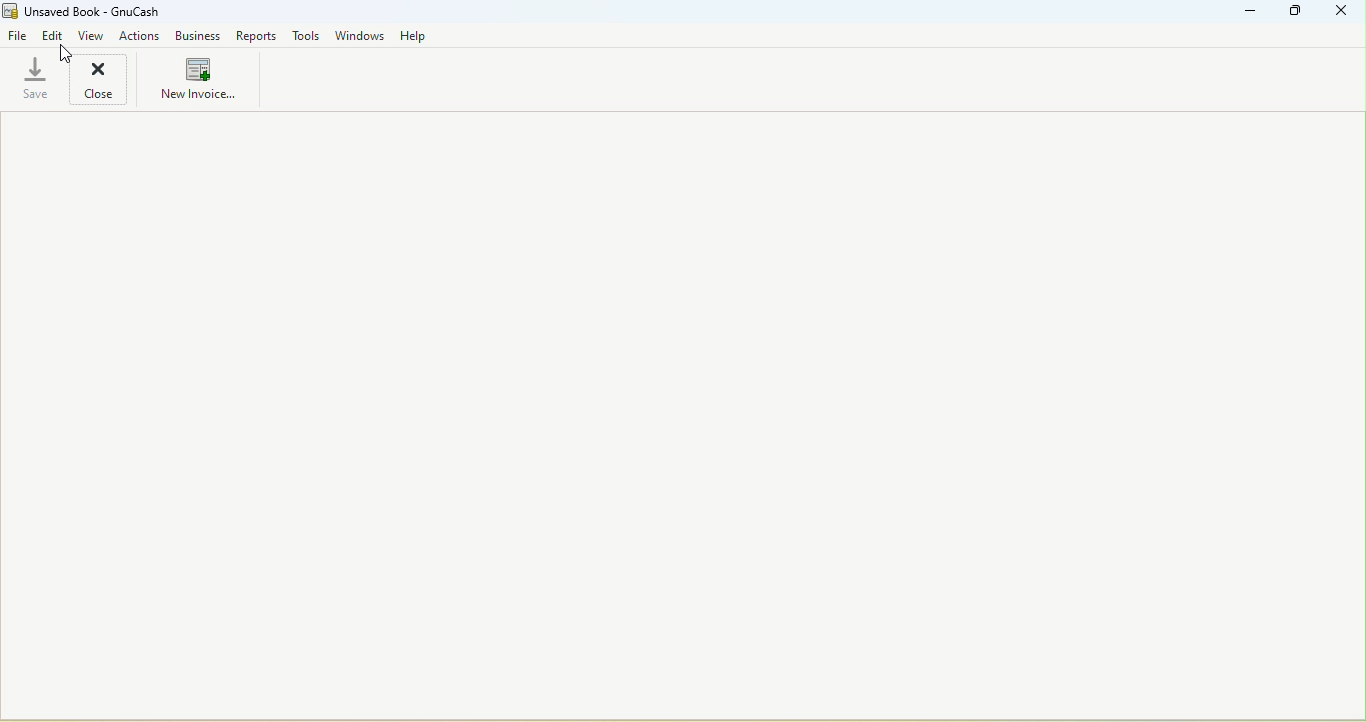 This screenshot has height=722, width=1366. I want to click on Save, so click(31, 81).